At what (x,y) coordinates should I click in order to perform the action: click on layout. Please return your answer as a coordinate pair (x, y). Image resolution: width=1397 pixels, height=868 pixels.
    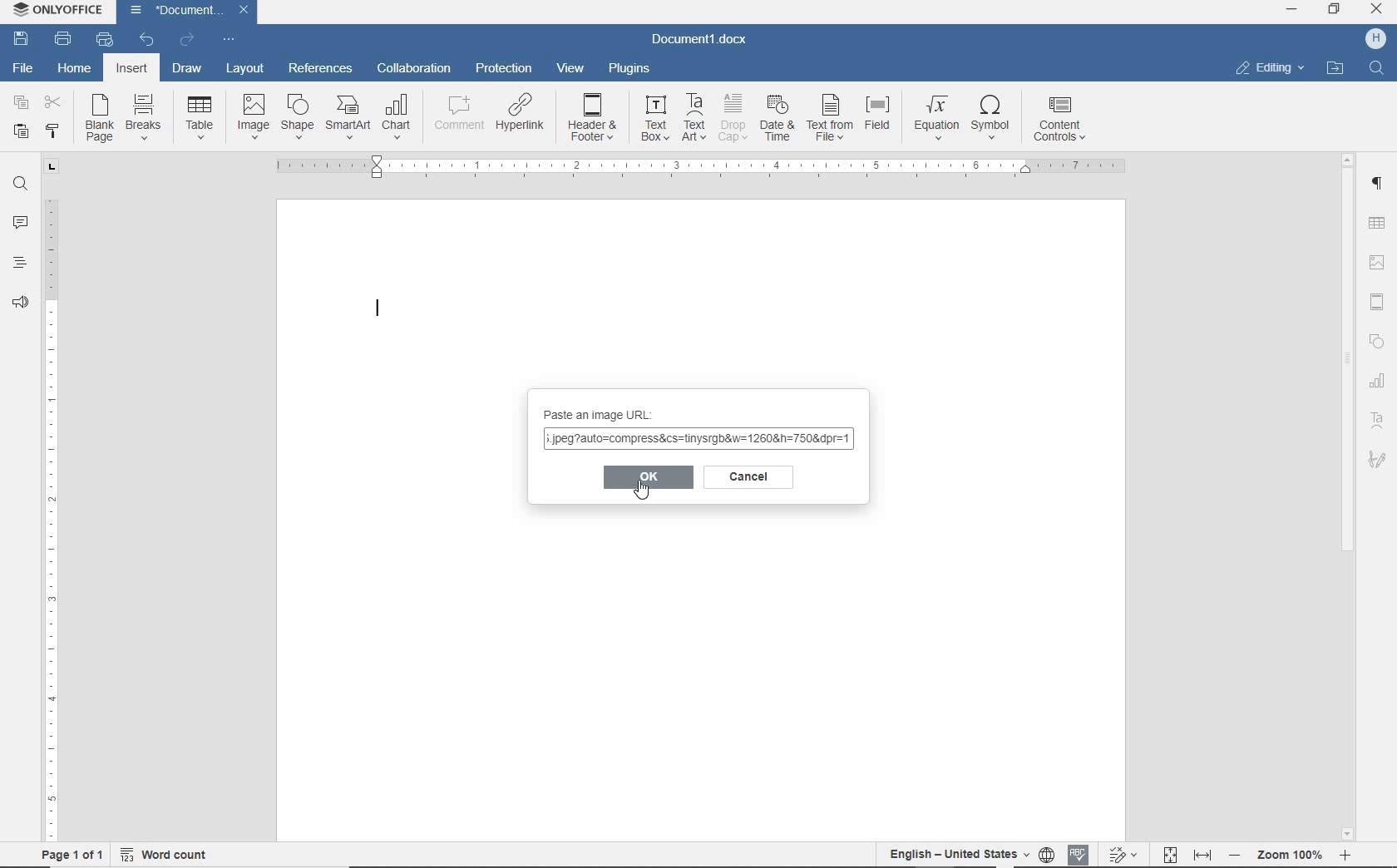
    Looking at the image, I should click on (248, 69).